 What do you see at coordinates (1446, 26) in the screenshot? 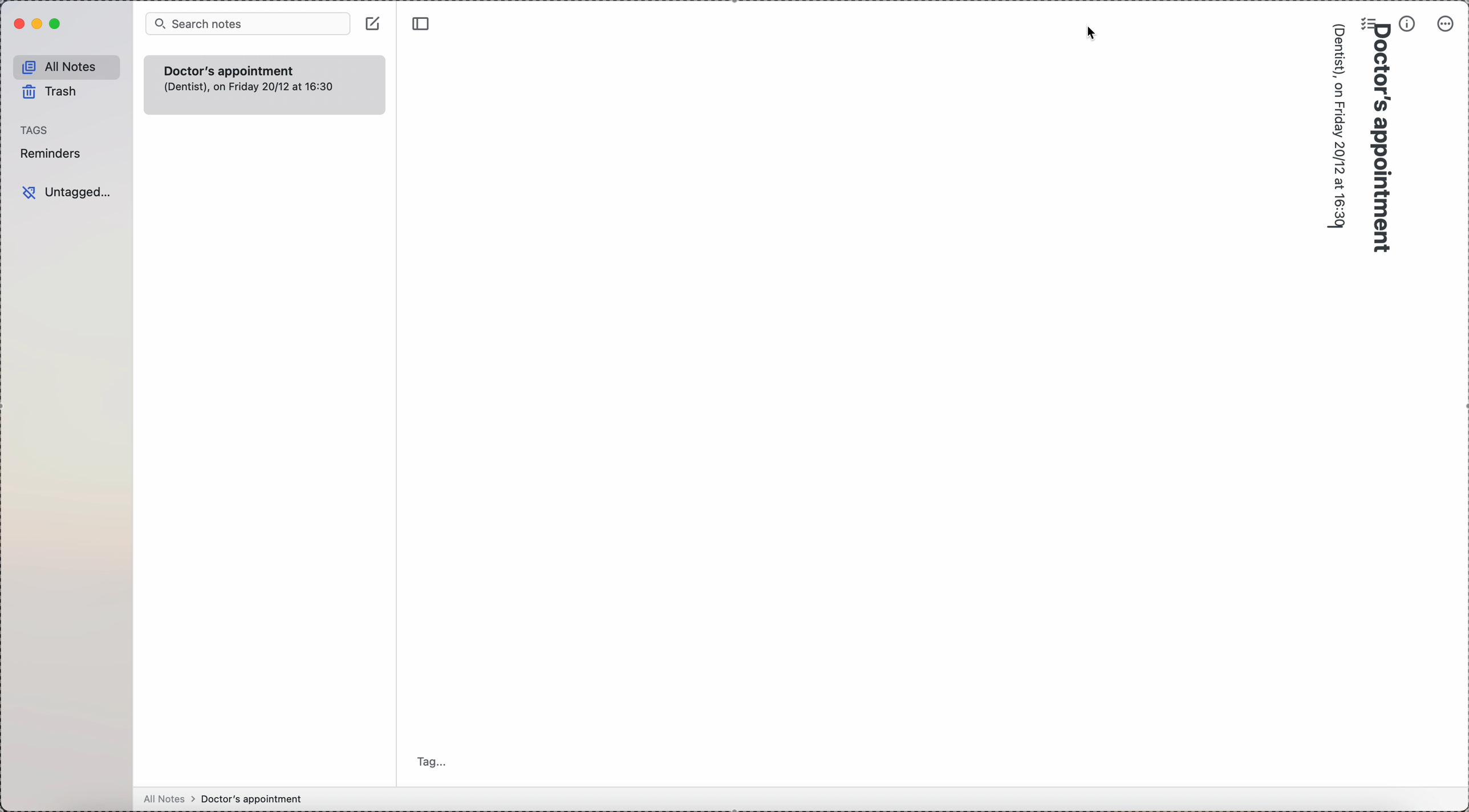
I see `more options` at bounding box center [1446, 26].